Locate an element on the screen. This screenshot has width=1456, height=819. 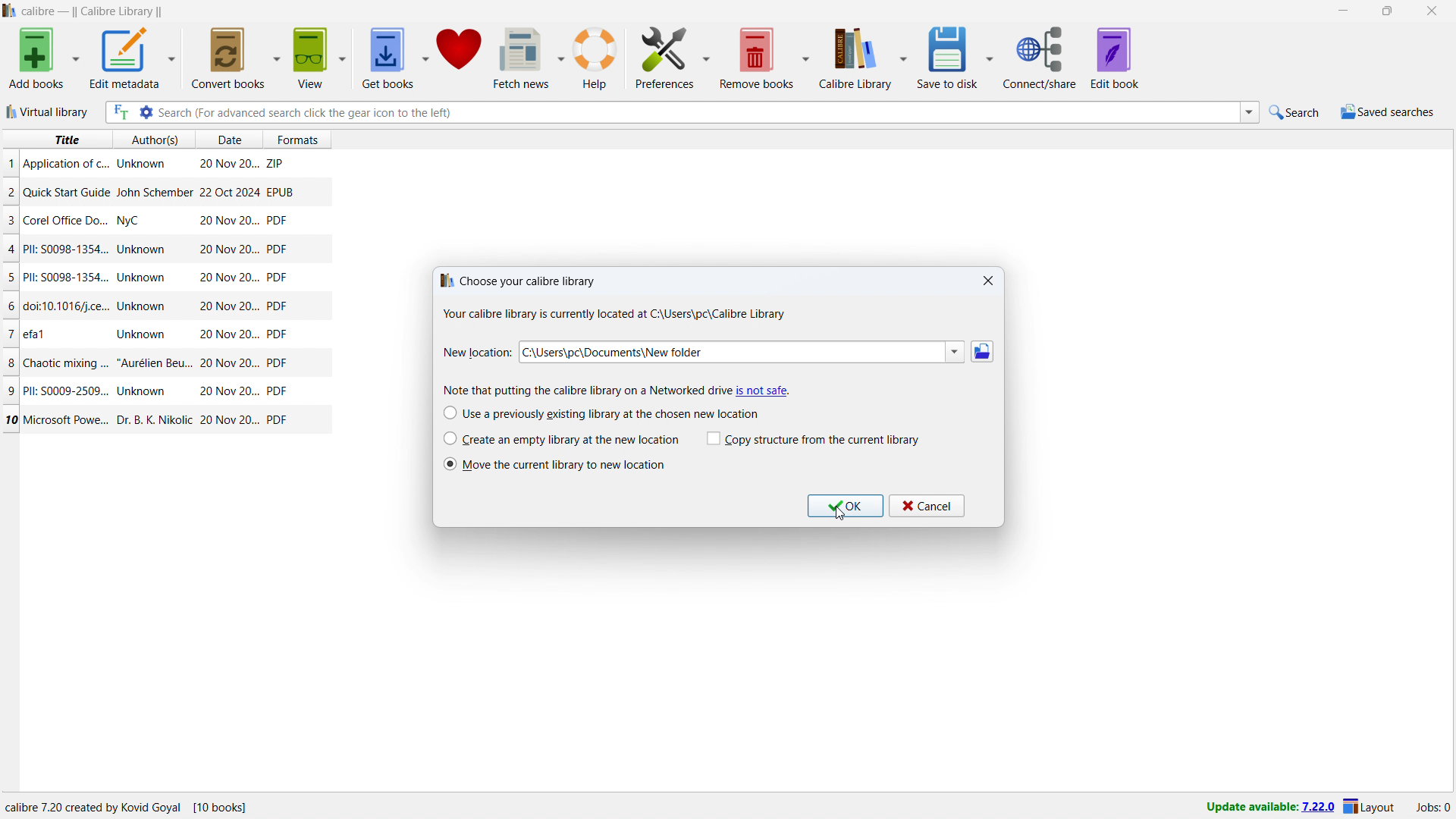
view options is located at coordinates (344, 58).